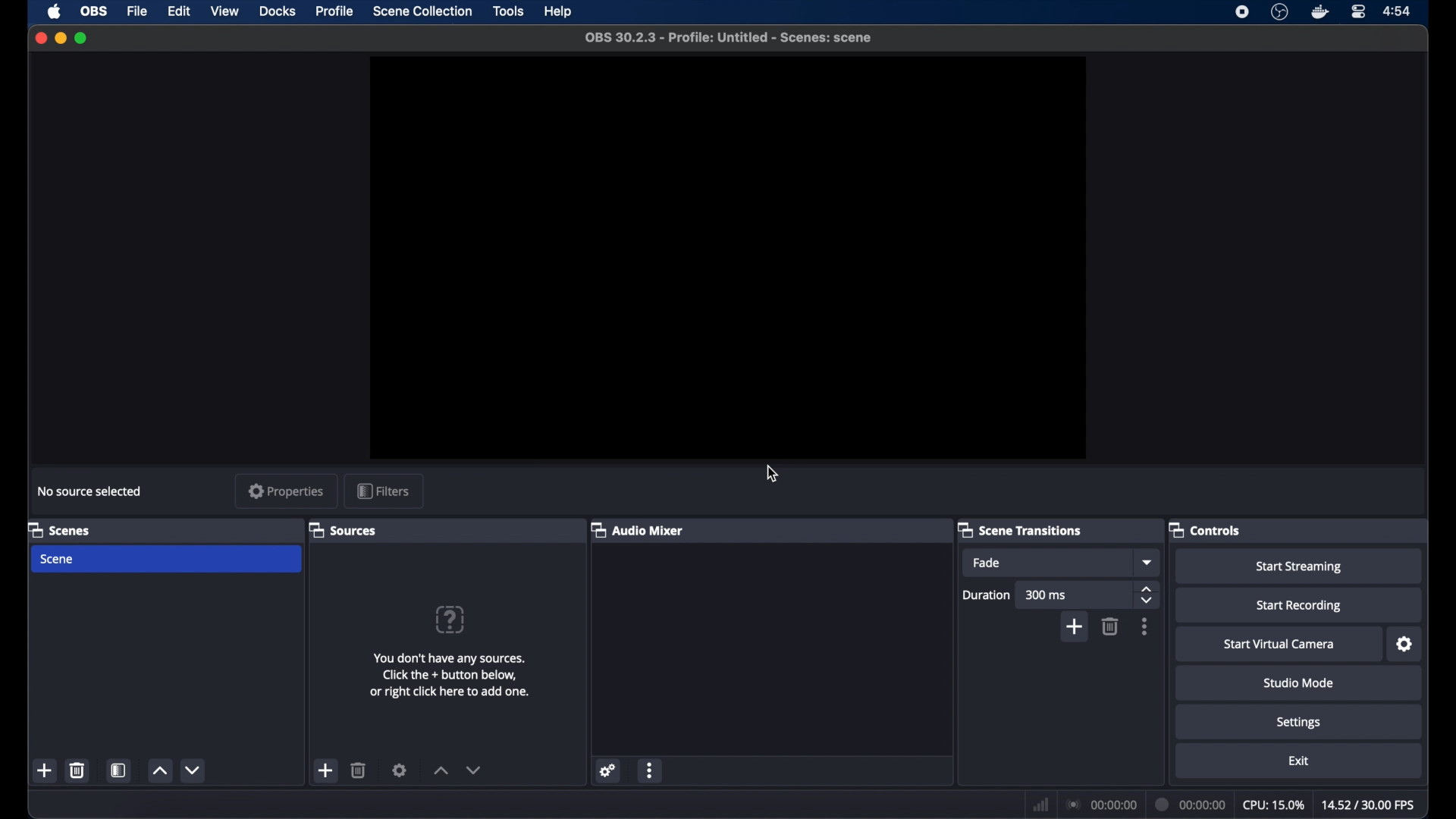  Describe the element at coordinates (1303, 723) in the screenshot. I see `settings` at that location.